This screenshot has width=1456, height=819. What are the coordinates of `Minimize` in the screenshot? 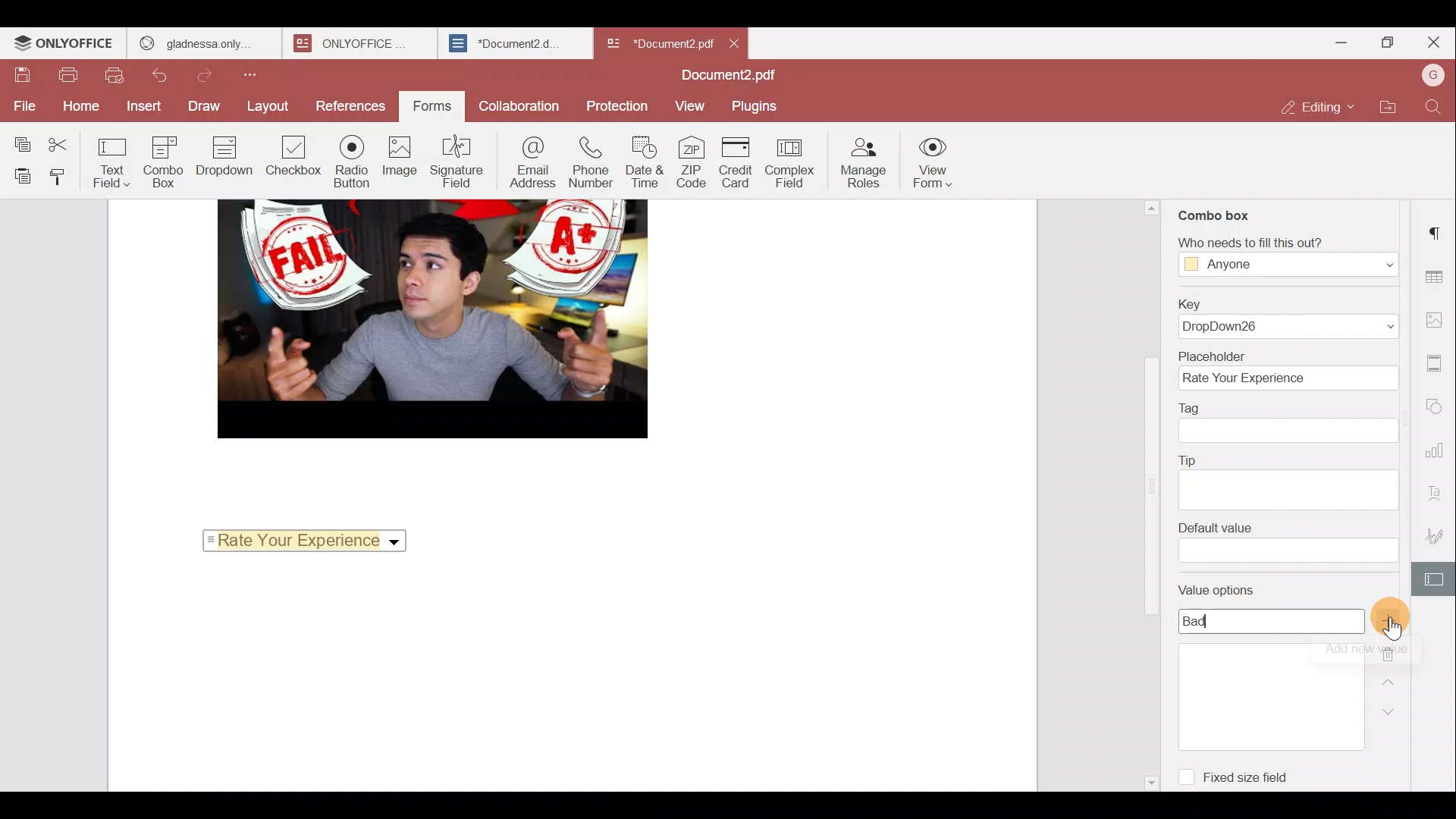 It's located at (1329, 45).